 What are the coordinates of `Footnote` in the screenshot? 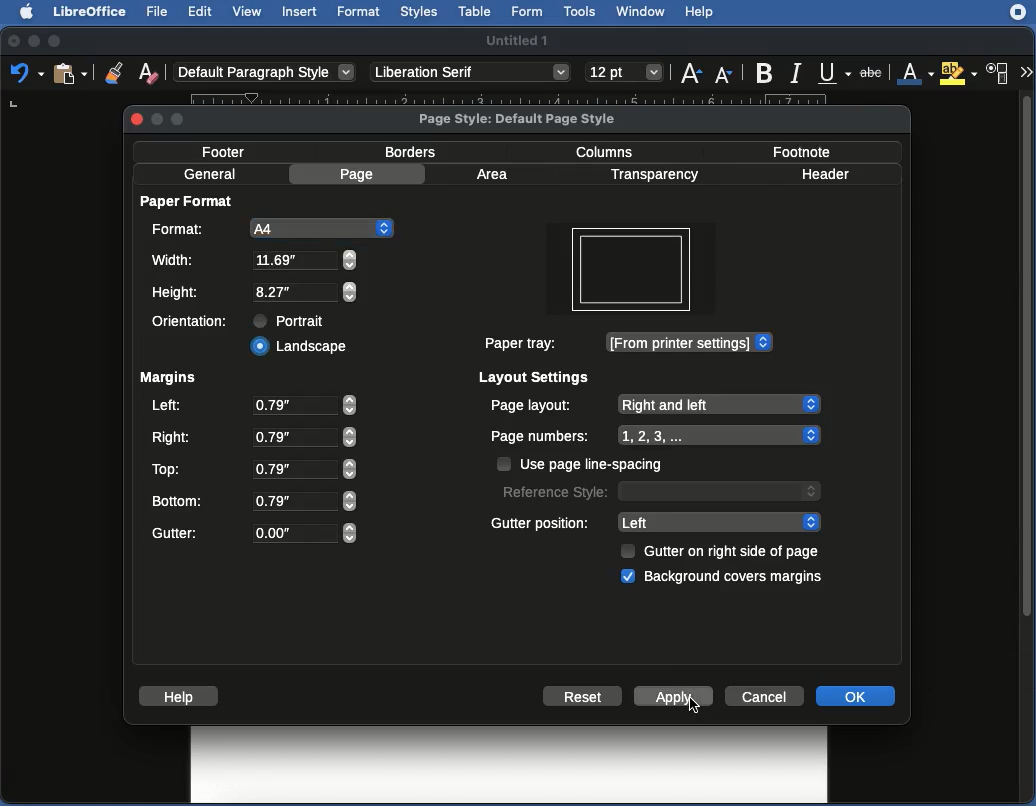 It's located at (802, 150).